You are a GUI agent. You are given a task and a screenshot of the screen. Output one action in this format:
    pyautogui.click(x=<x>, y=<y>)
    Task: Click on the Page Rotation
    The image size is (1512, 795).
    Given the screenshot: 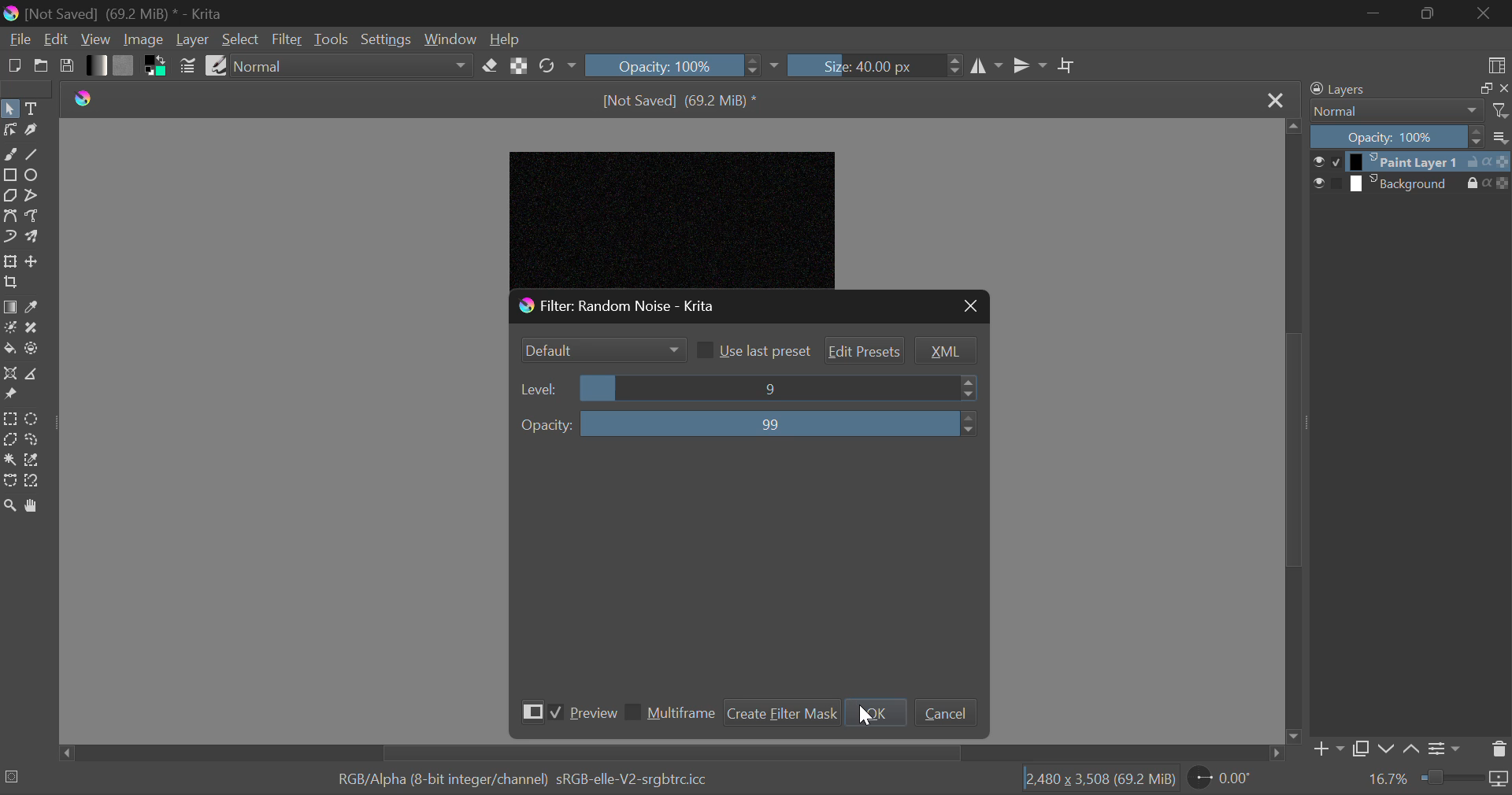 What is the action you would take?
    pyautogui.click(x=1223, y=780)
    